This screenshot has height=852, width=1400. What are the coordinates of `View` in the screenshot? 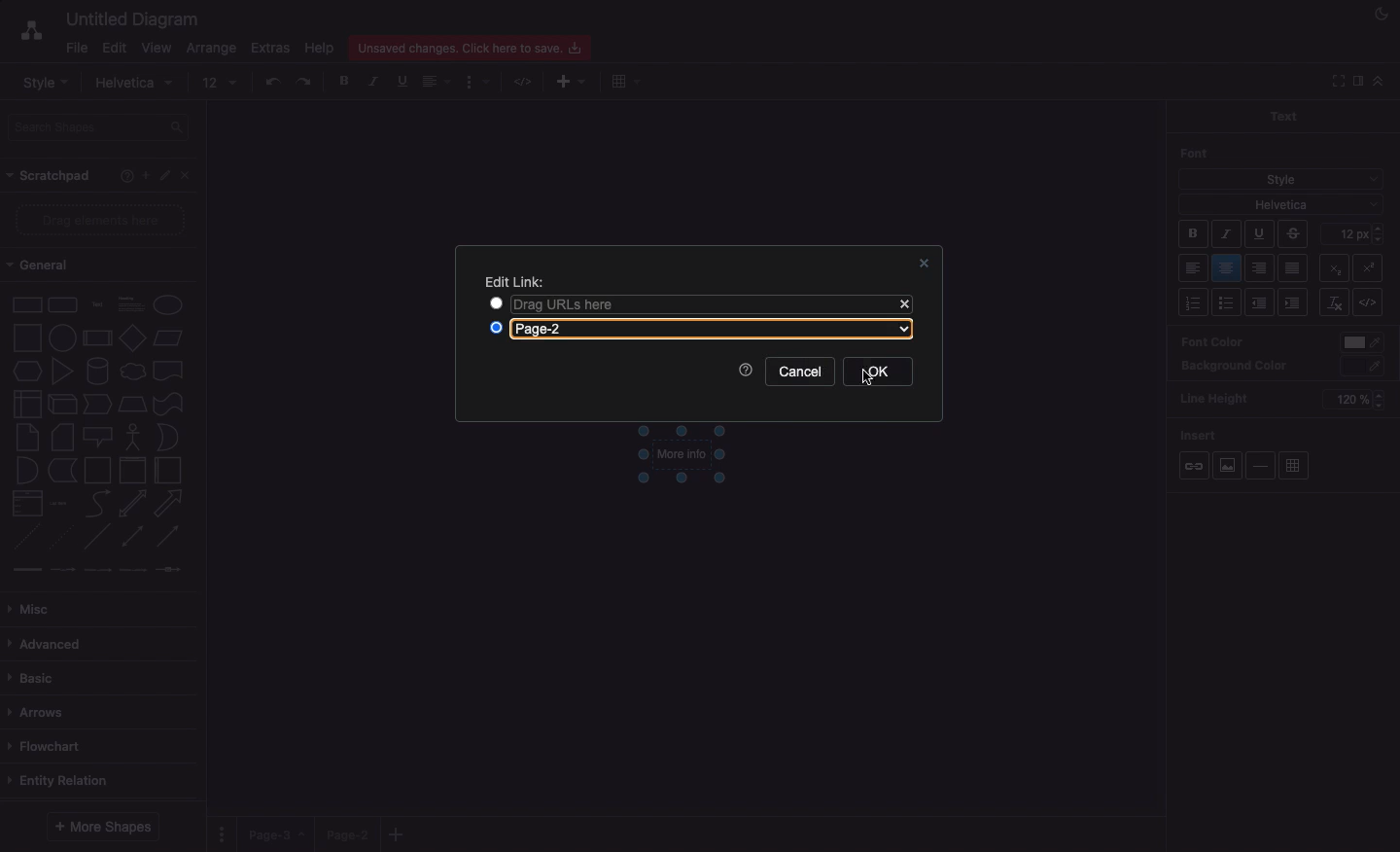 It's located at (155, 45).